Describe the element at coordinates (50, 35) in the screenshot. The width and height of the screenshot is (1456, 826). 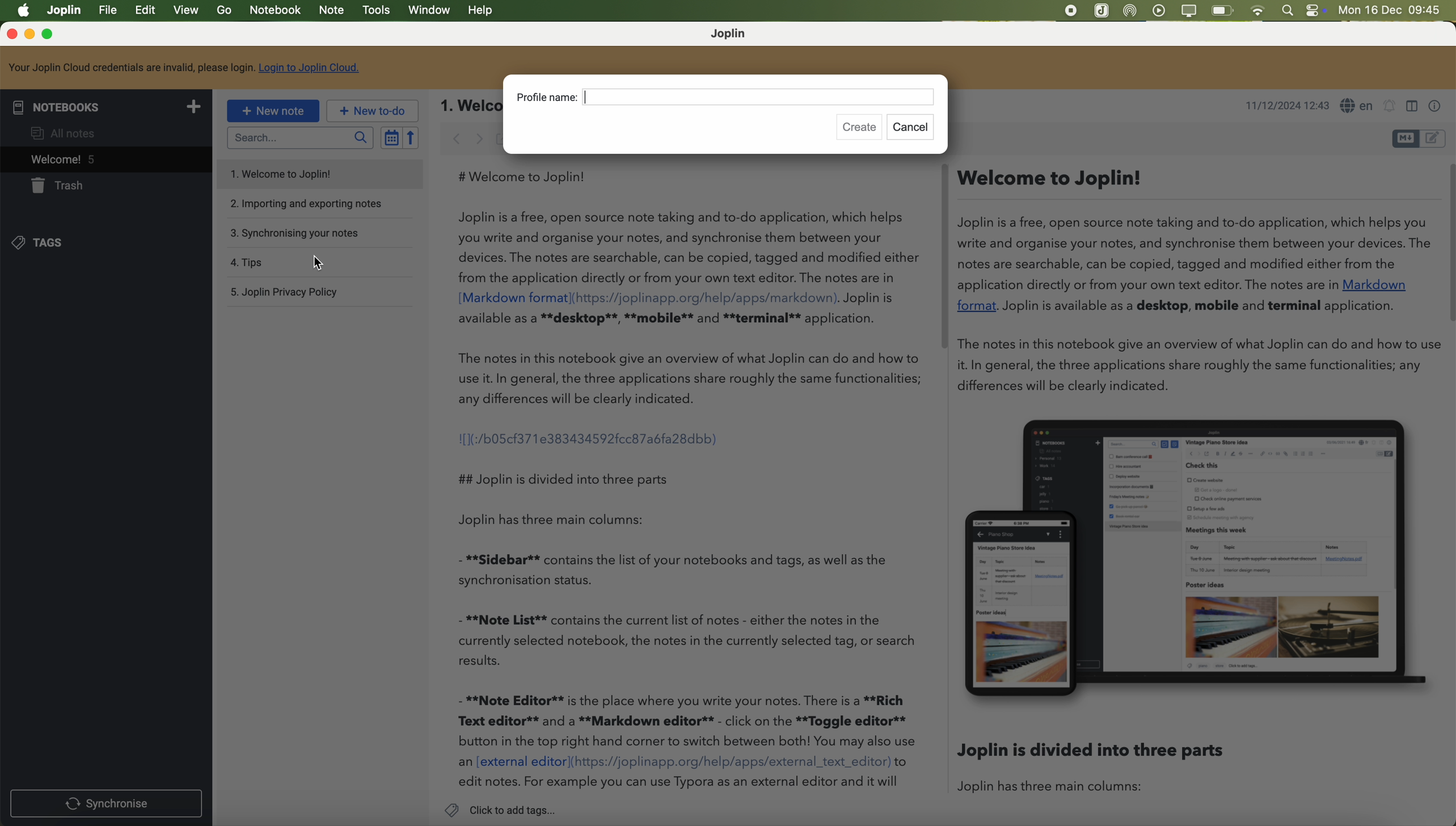
I see `maximize` at that location.